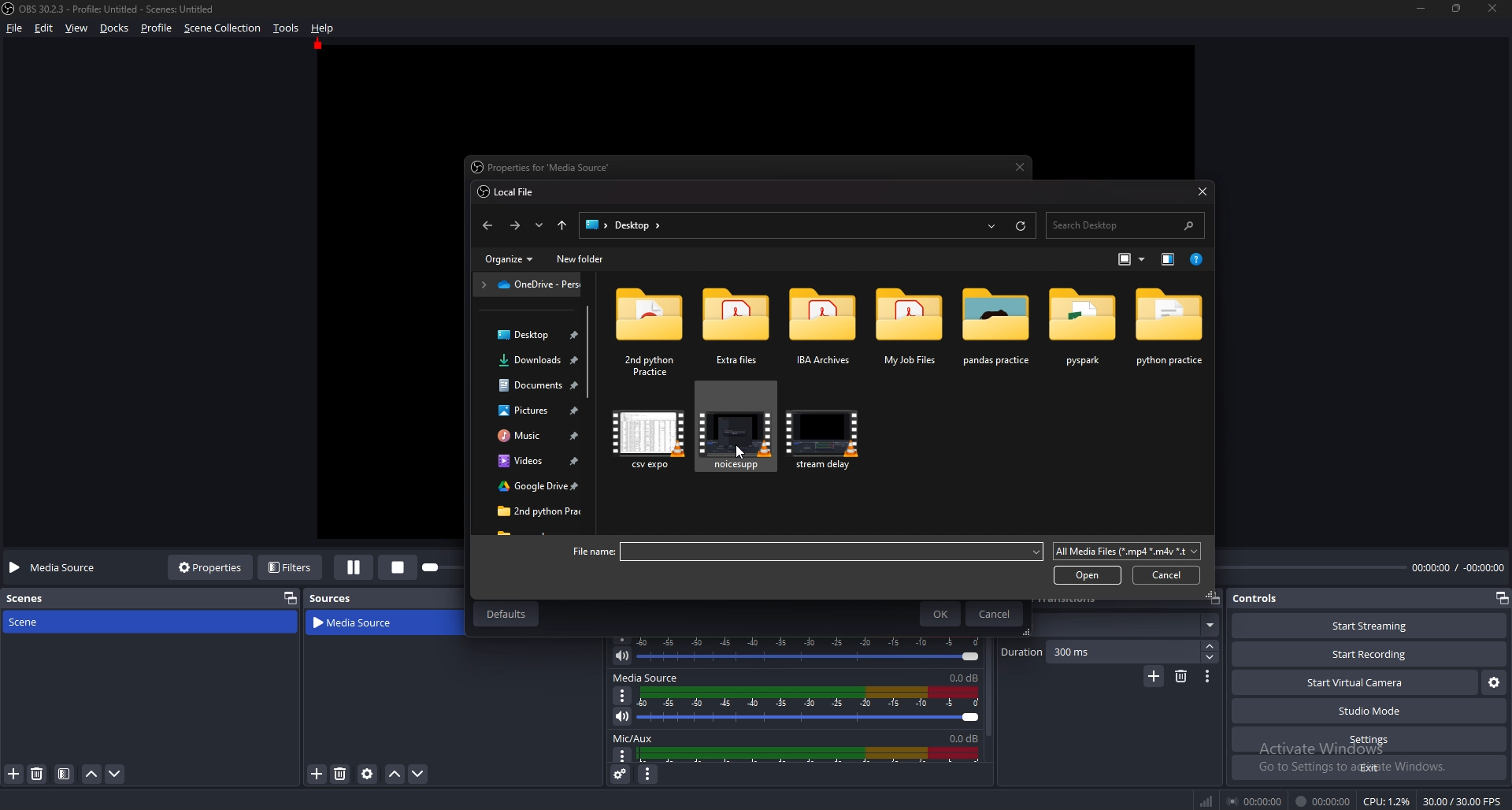 The image size is (1512, 810). I want to click on OBS LOGO, so click(9, 9).